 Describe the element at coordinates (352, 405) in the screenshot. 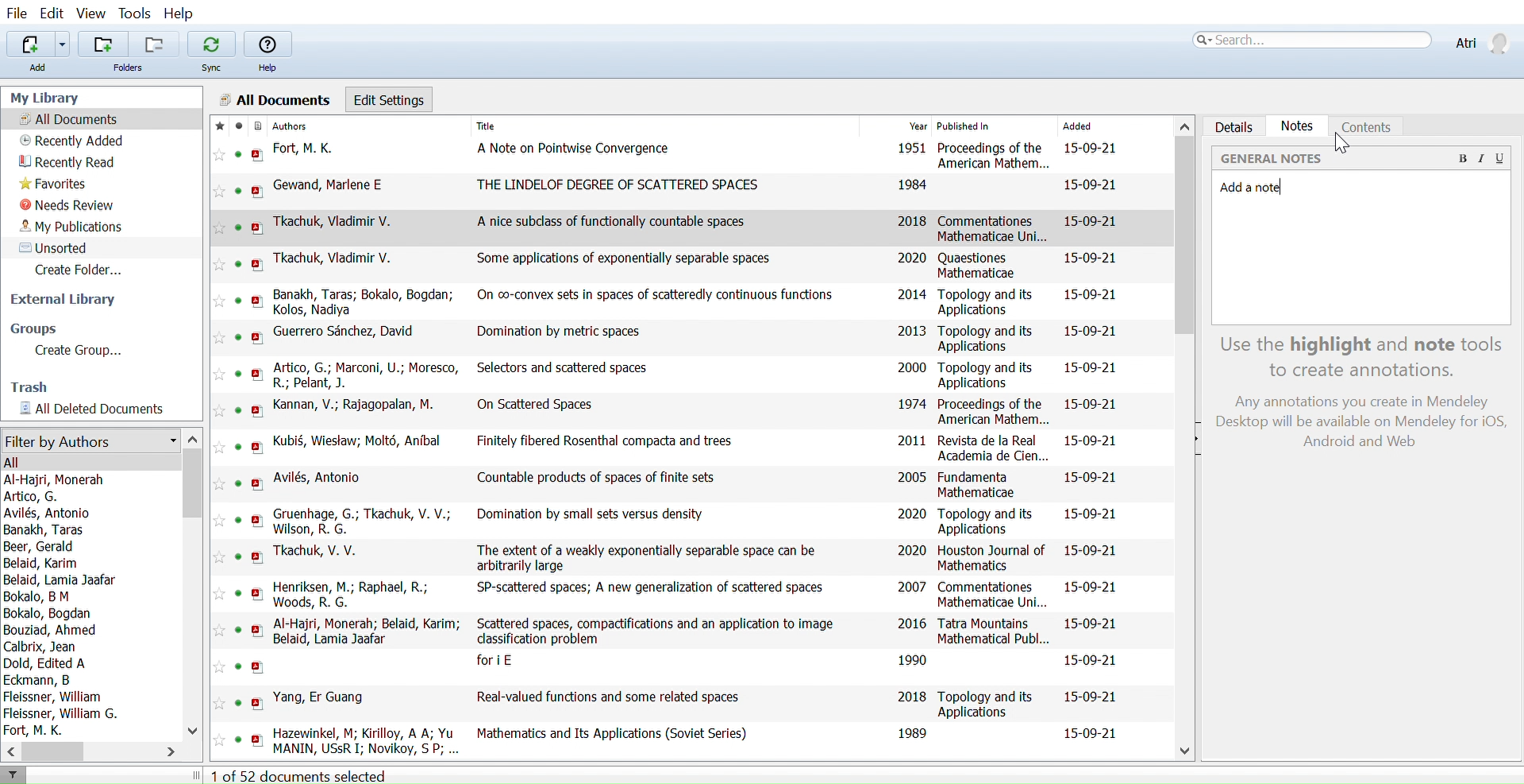

I see `Kannan, V.; Rajagopalan, M.` at that location.